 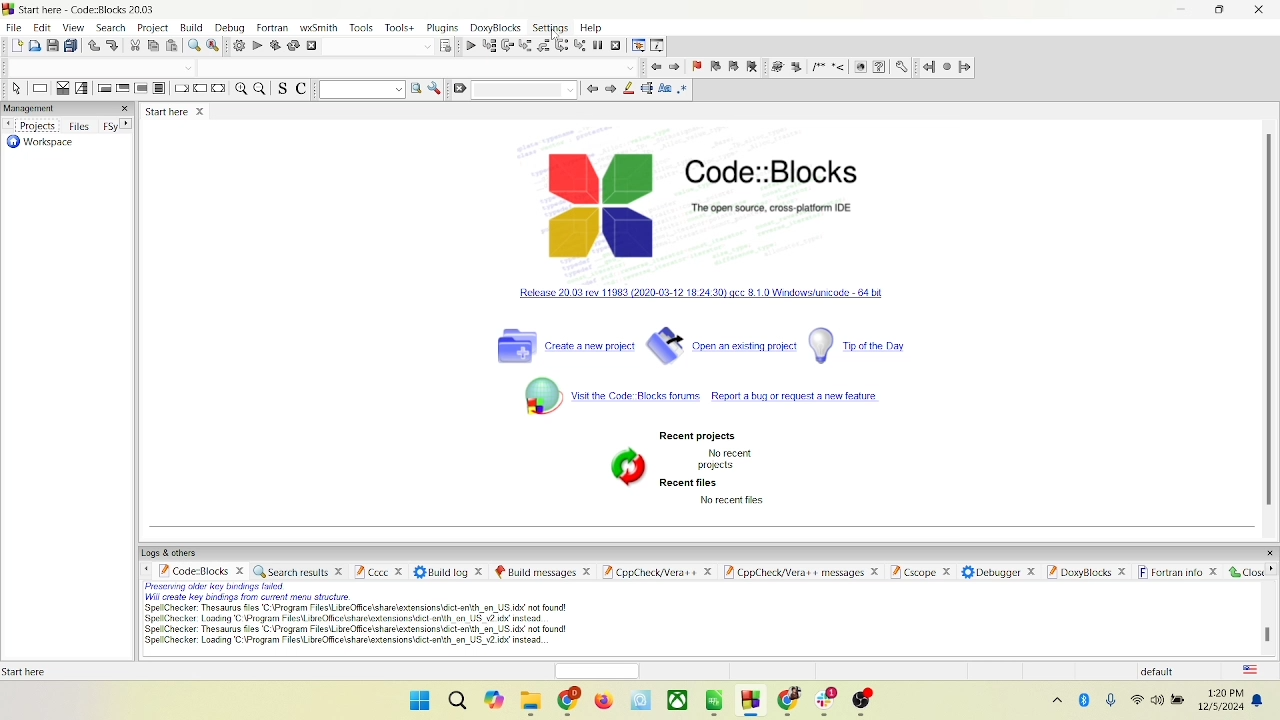 I want to click on text, so click(x=359, y=615).